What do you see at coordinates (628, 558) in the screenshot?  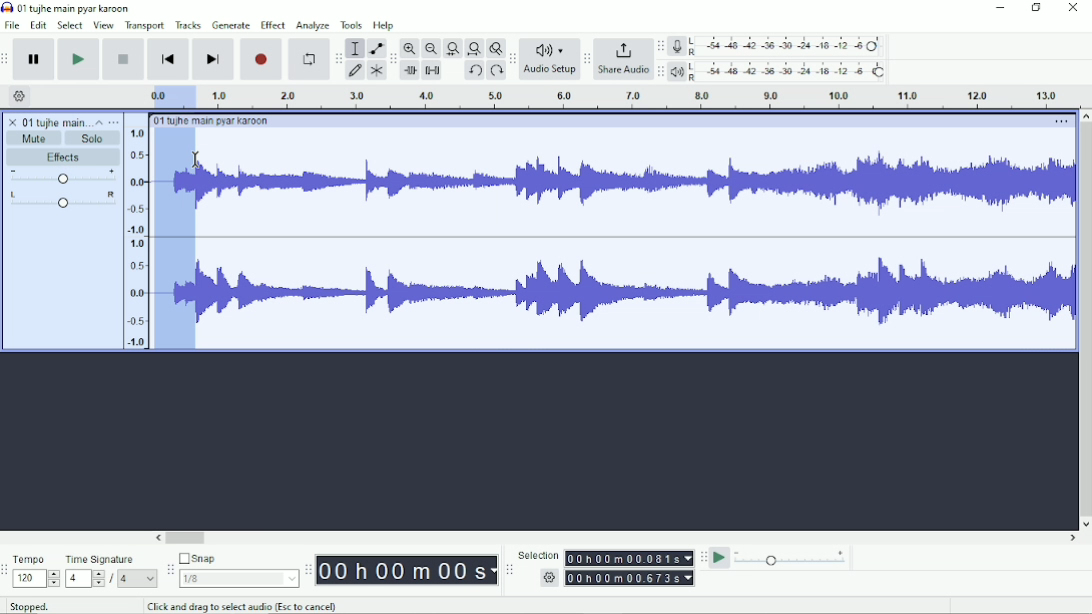 I see `00 h 00 m 00.081s` at bounding box center [628, 558].